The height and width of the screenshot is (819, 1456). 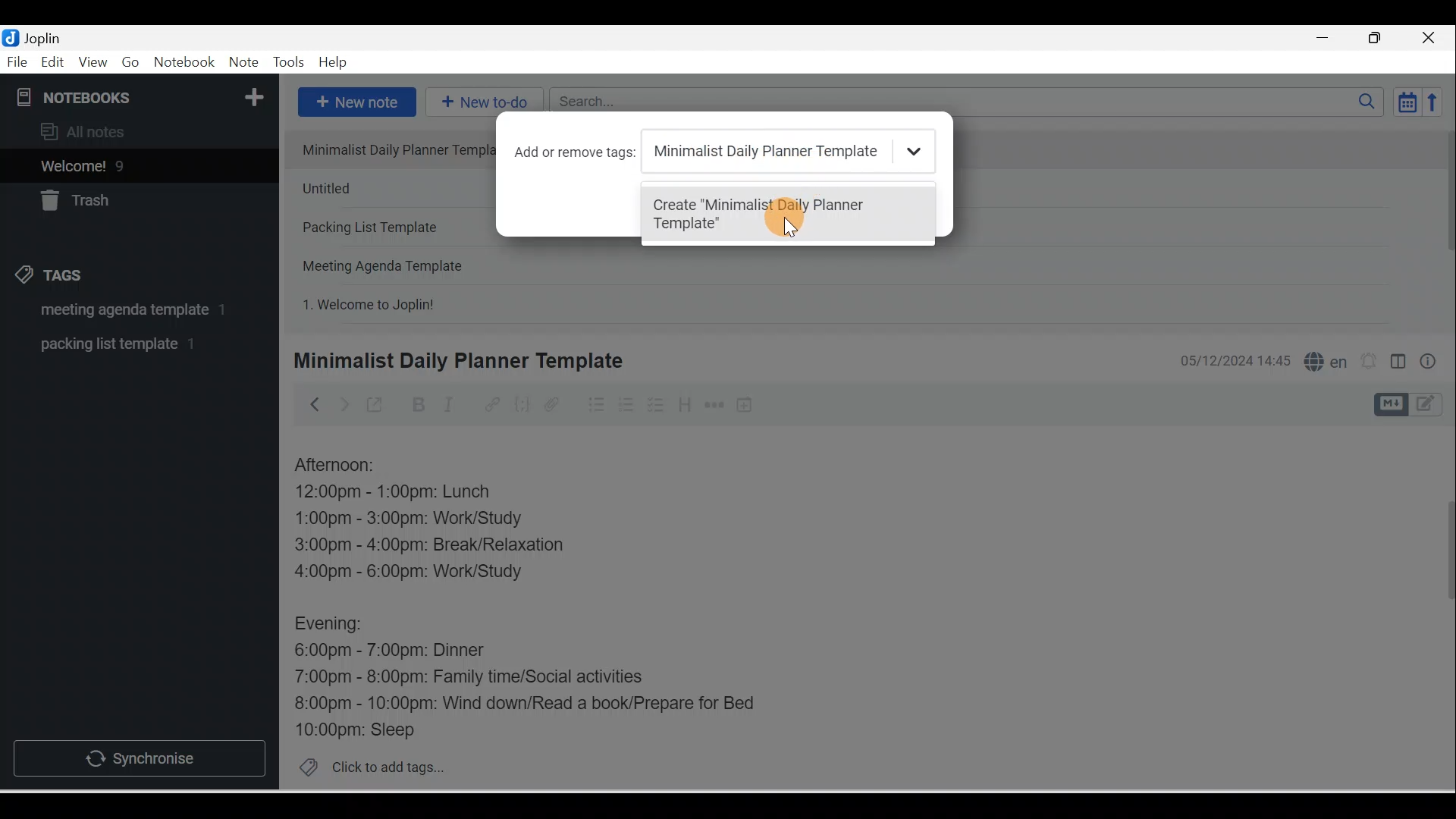 I want to click on Note 1, so click(x=388, y=149).